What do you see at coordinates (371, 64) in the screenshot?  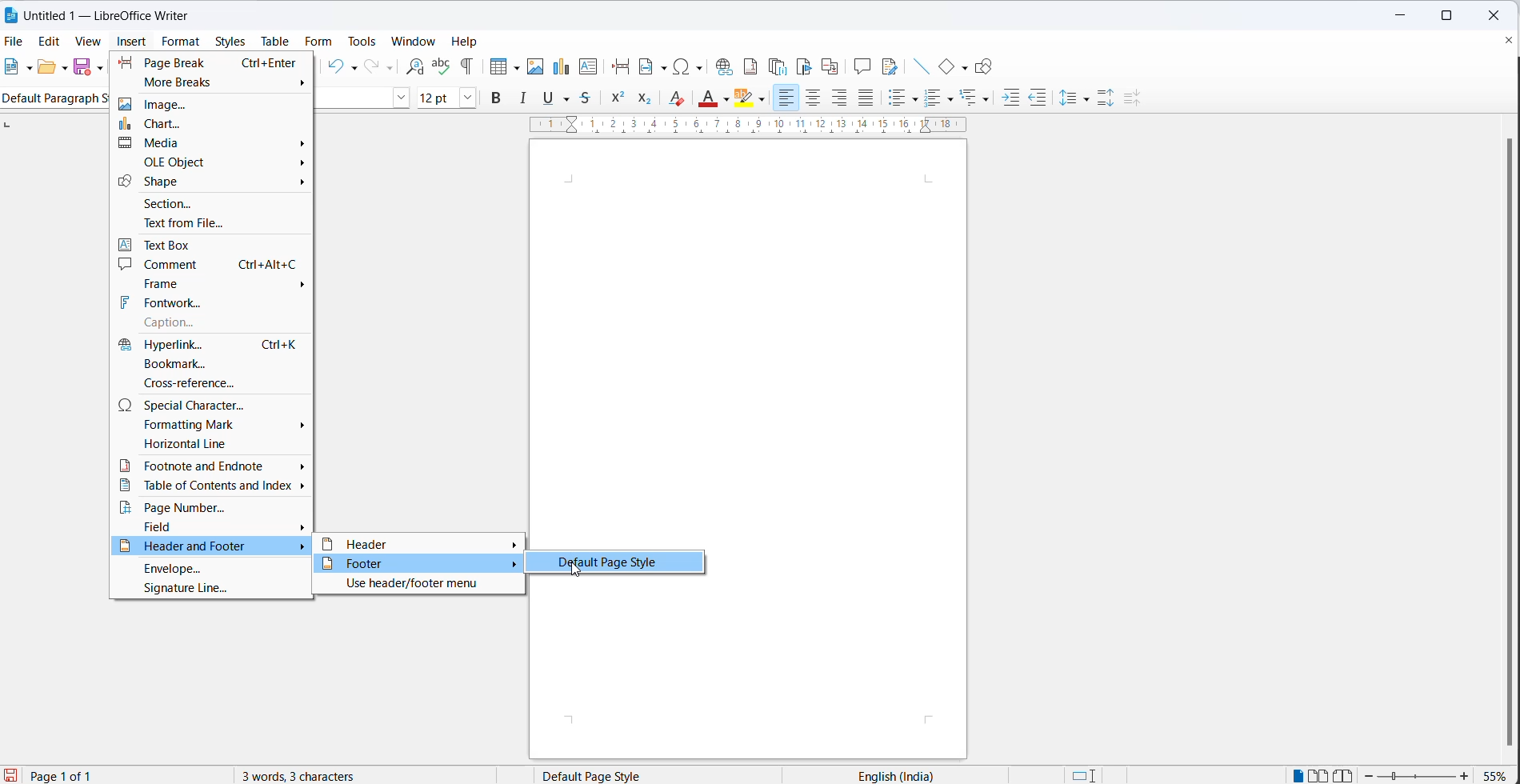 I see `redo` at bounding box center [371, 64].